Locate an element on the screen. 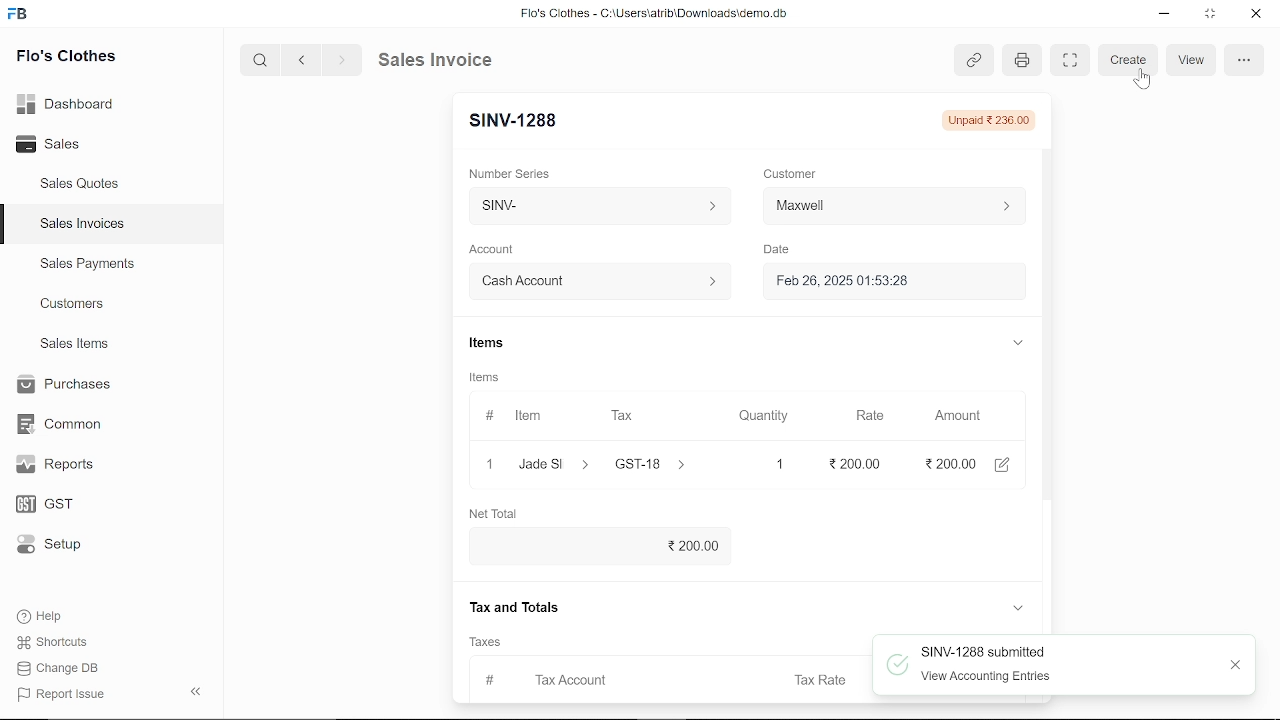 Image resolution: width=1280 pixels, height=720 pixels. 200.00 is located at coordinates (605, 544).